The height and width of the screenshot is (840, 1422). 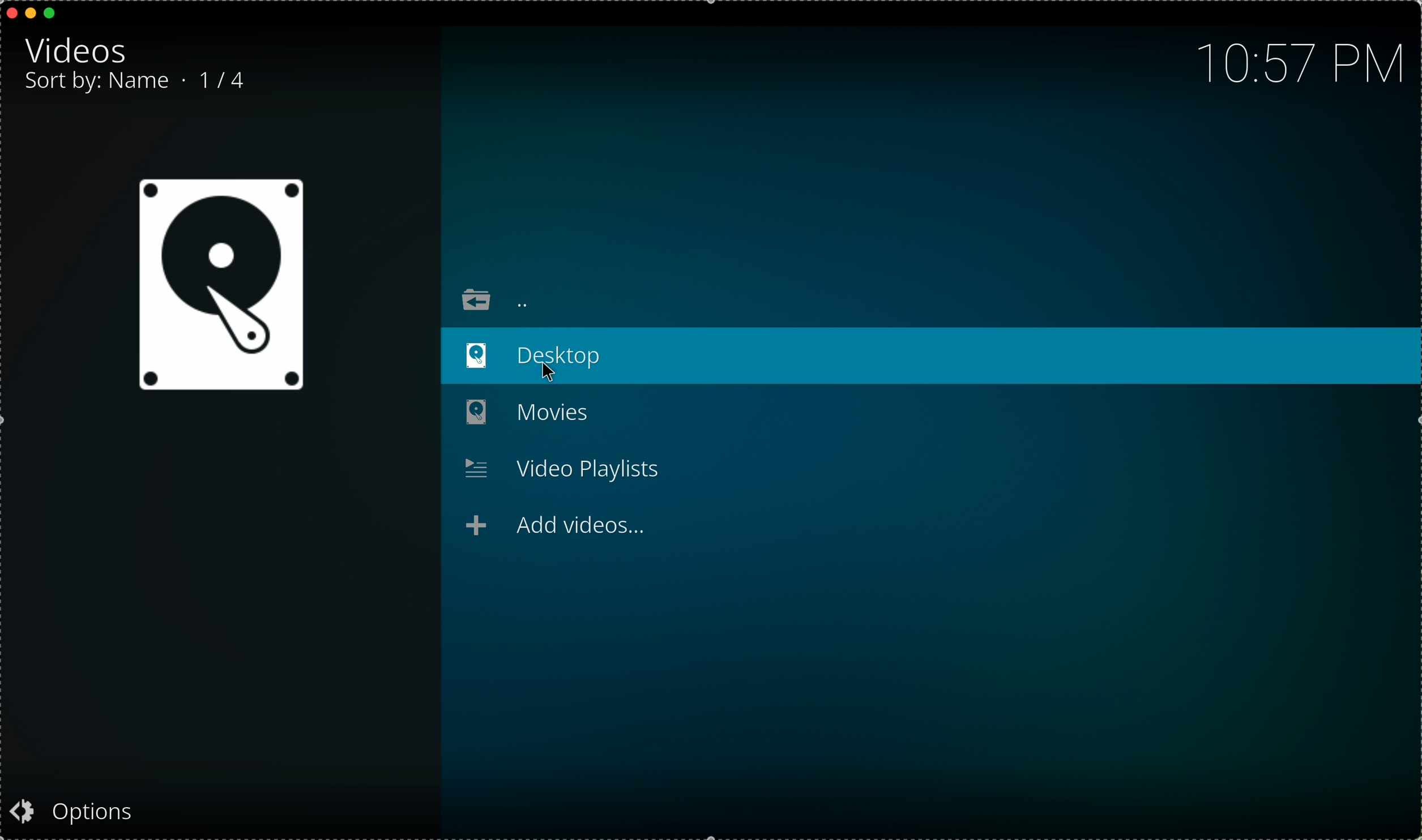 What do you see at coordinates (496, 299) in the screenshot?
I see `location back` at bounding box center [496, 299].